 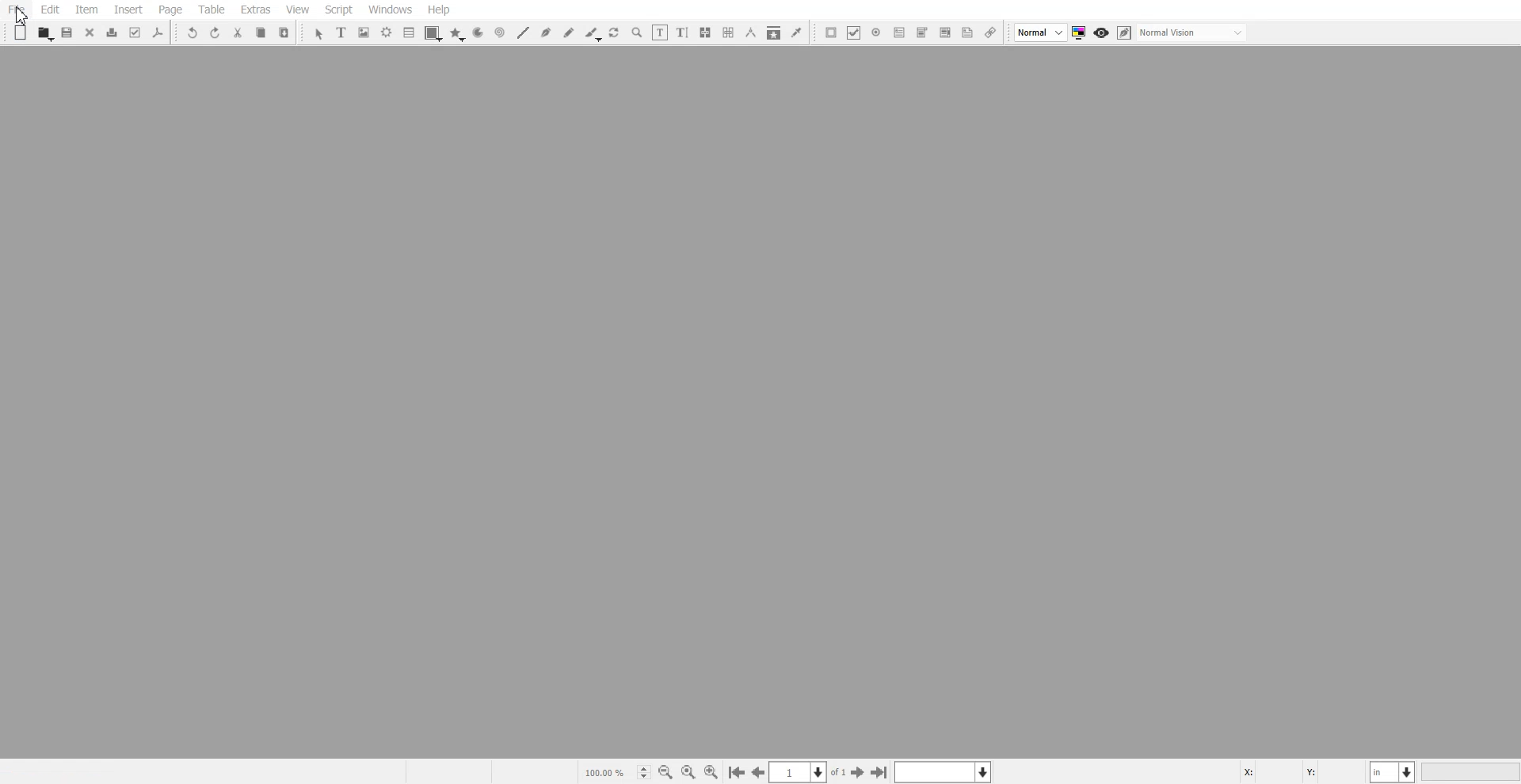 What do you see at coordinates (688, 771) in the screenshot?
I see `Zoom to 100%` at bounding box center [688, 771].